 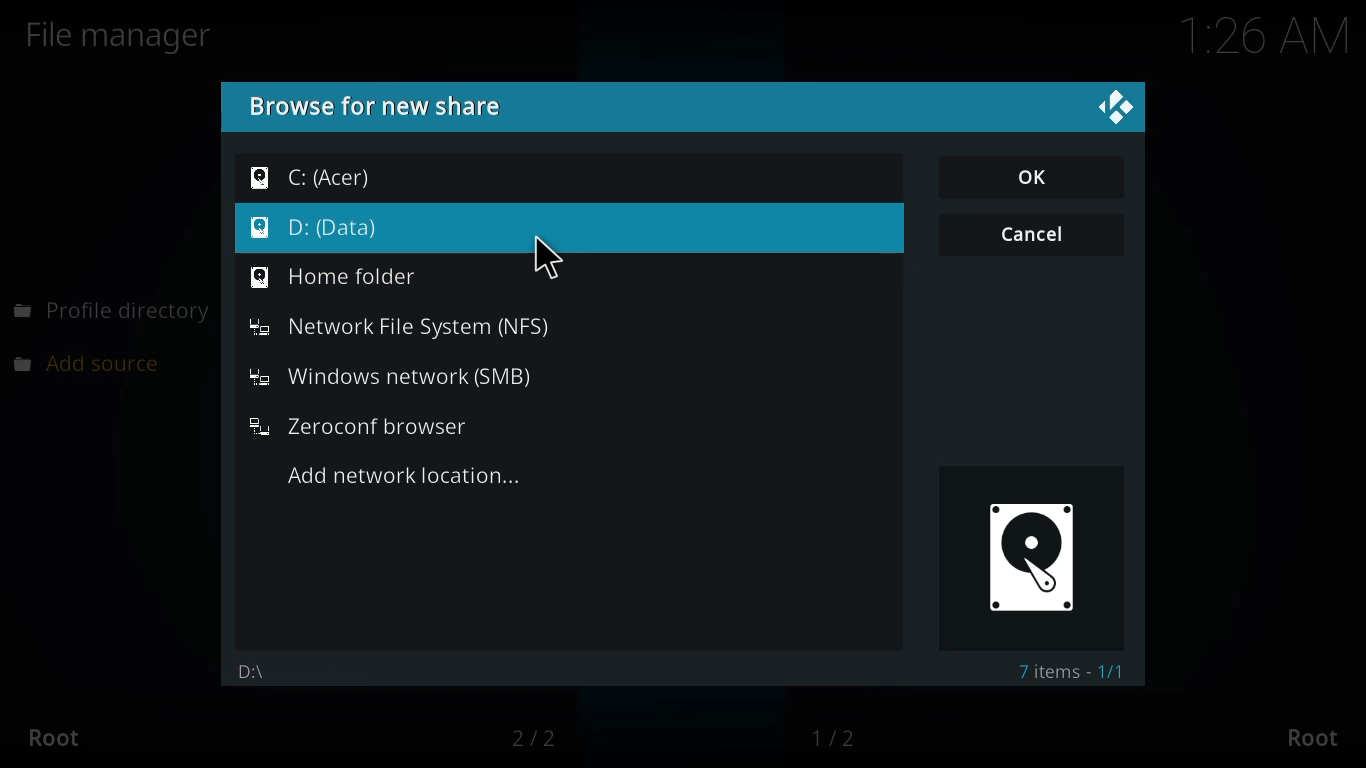 What do you see at coordinates (1035, 178) in the screenshot?
I see `ok` at bounding box center [1035, 178].